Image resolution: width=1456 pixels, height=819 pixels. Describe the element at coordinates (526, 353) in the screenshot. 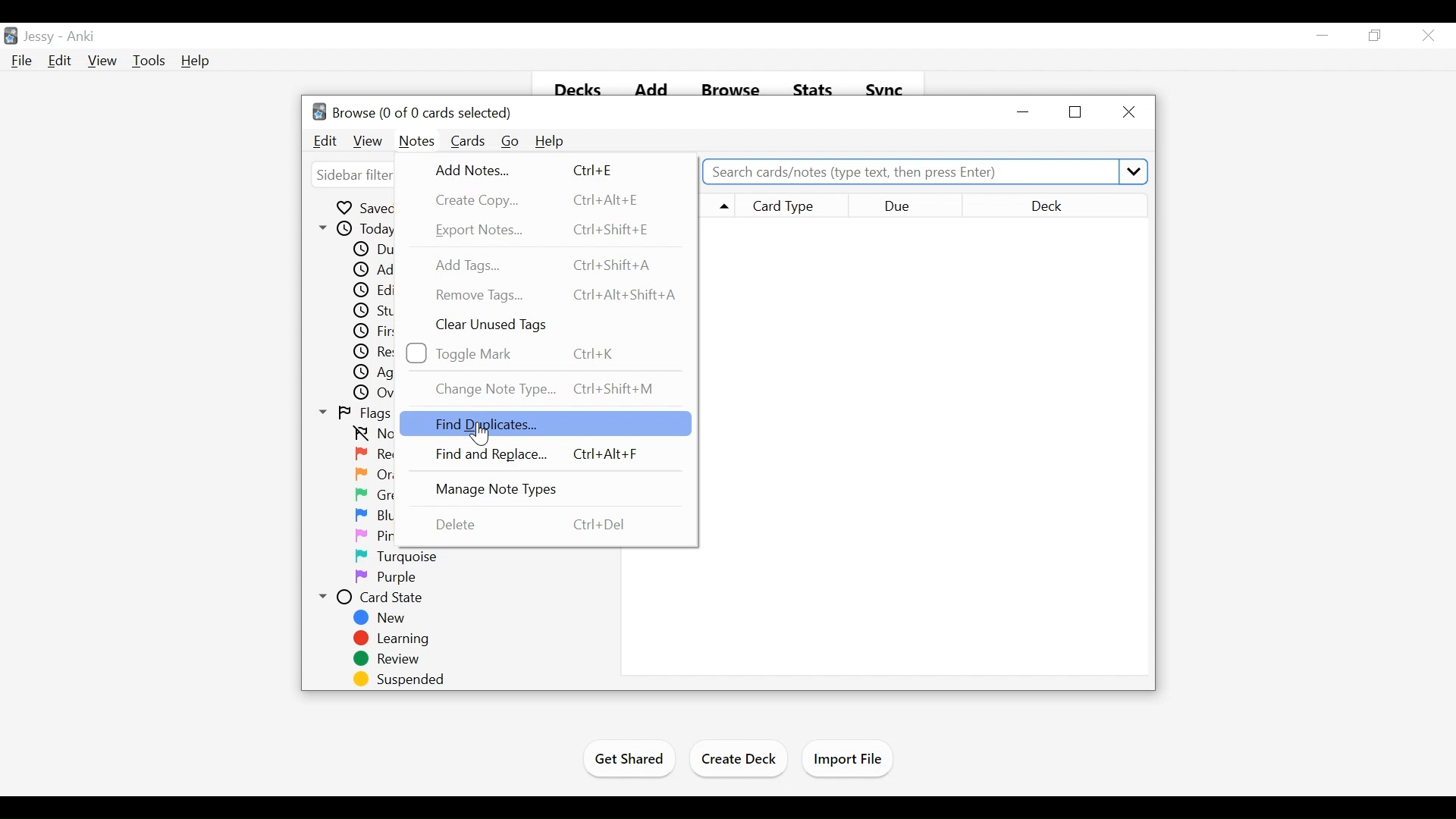

I see `Toggle Mark` at that location.